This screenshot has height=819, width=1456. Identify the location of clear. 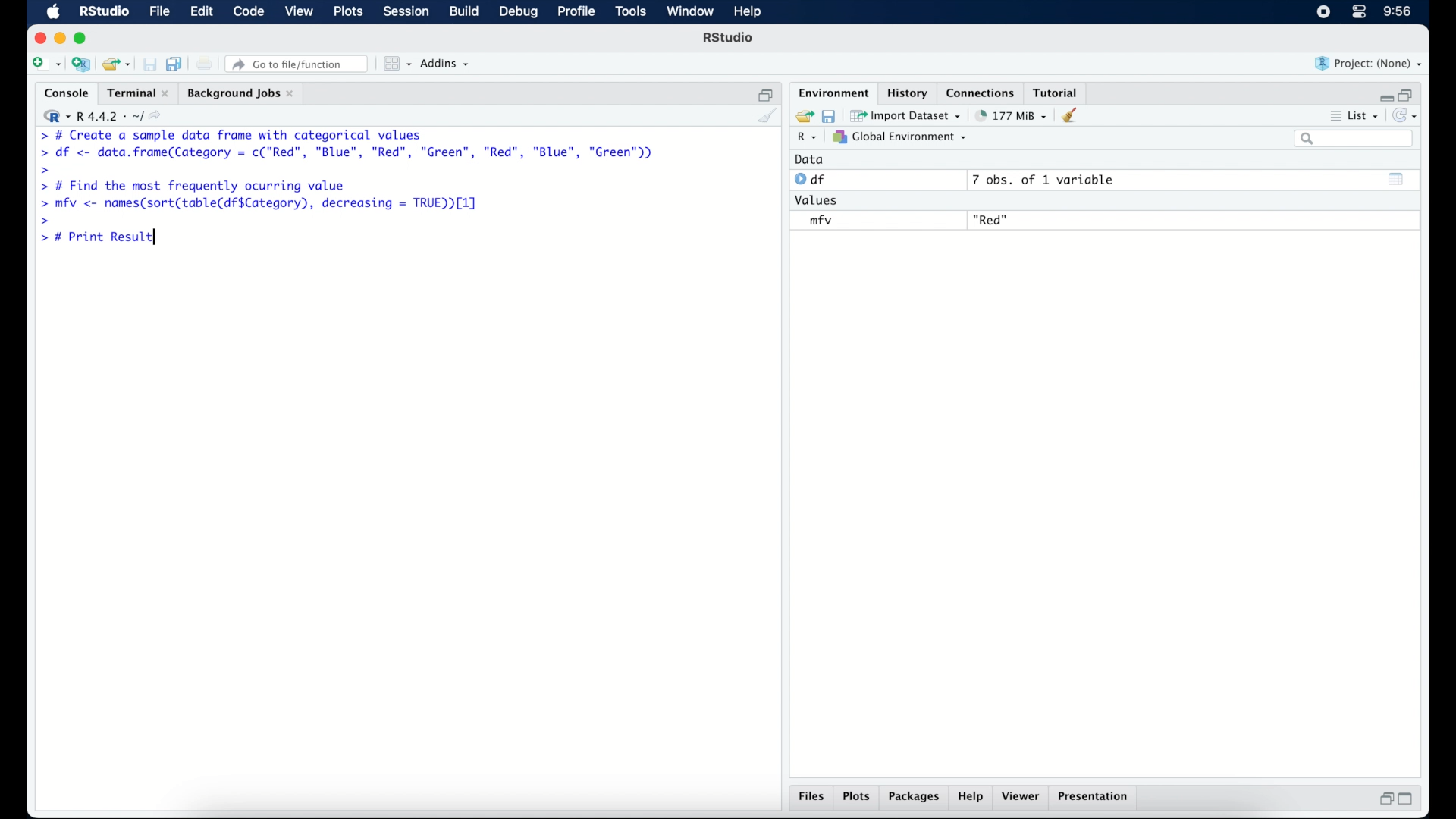
(1075, 116).